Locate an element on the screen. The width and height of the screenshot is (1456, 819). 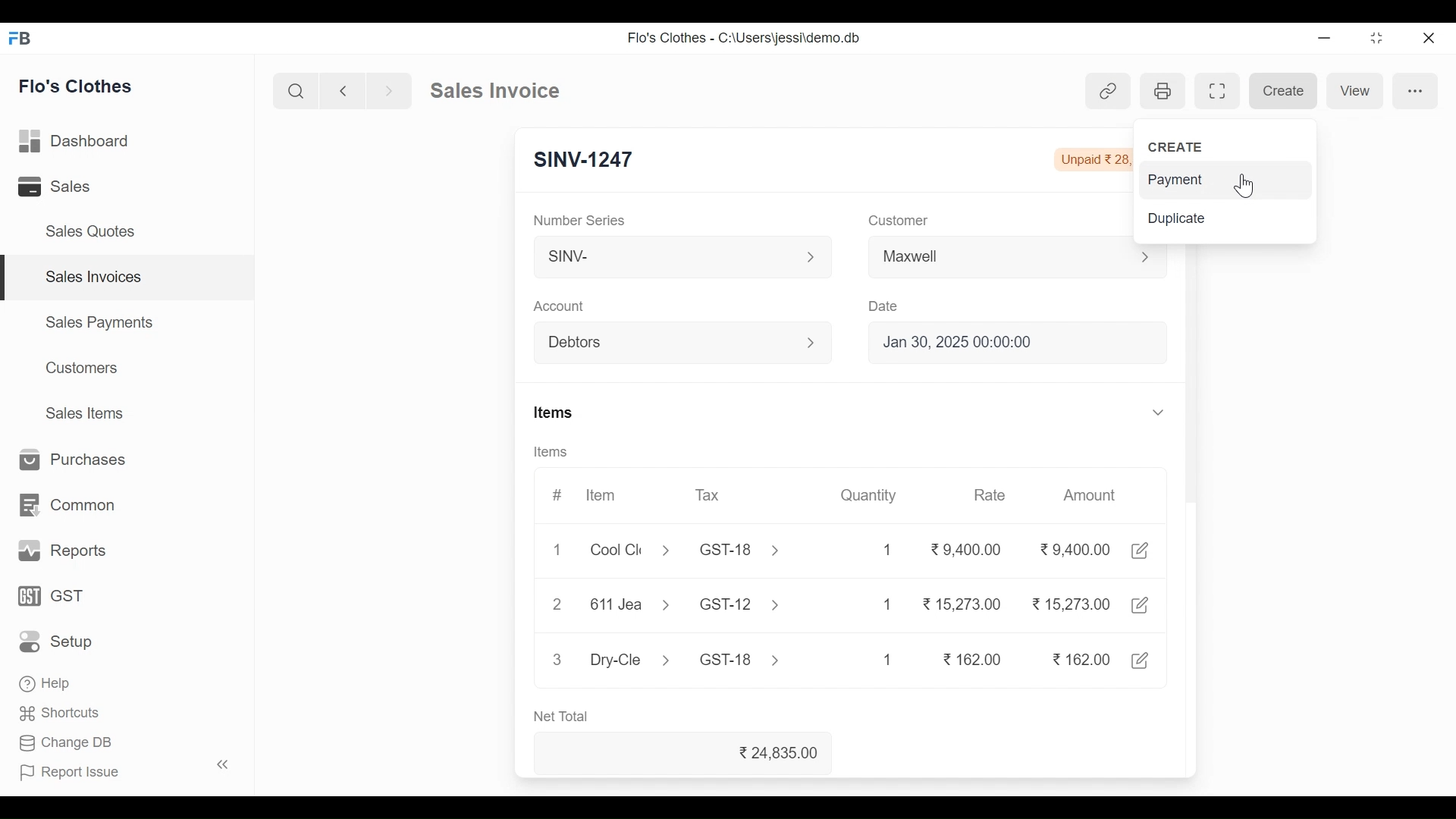
Items is located at coordinates (560, 413).